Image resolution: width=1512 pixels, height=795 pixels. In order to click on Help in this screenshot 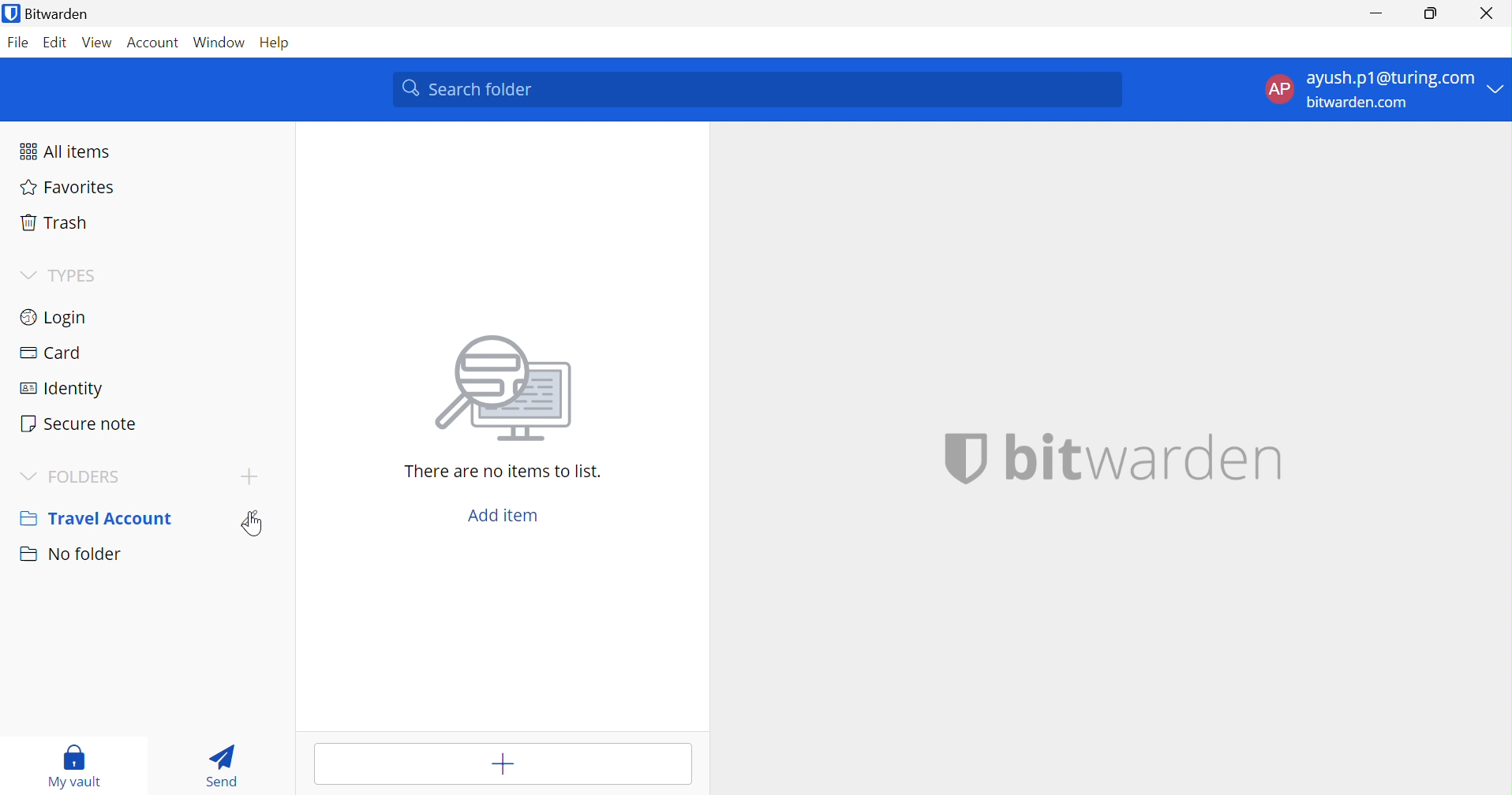, I will do `click(271, 43)`.